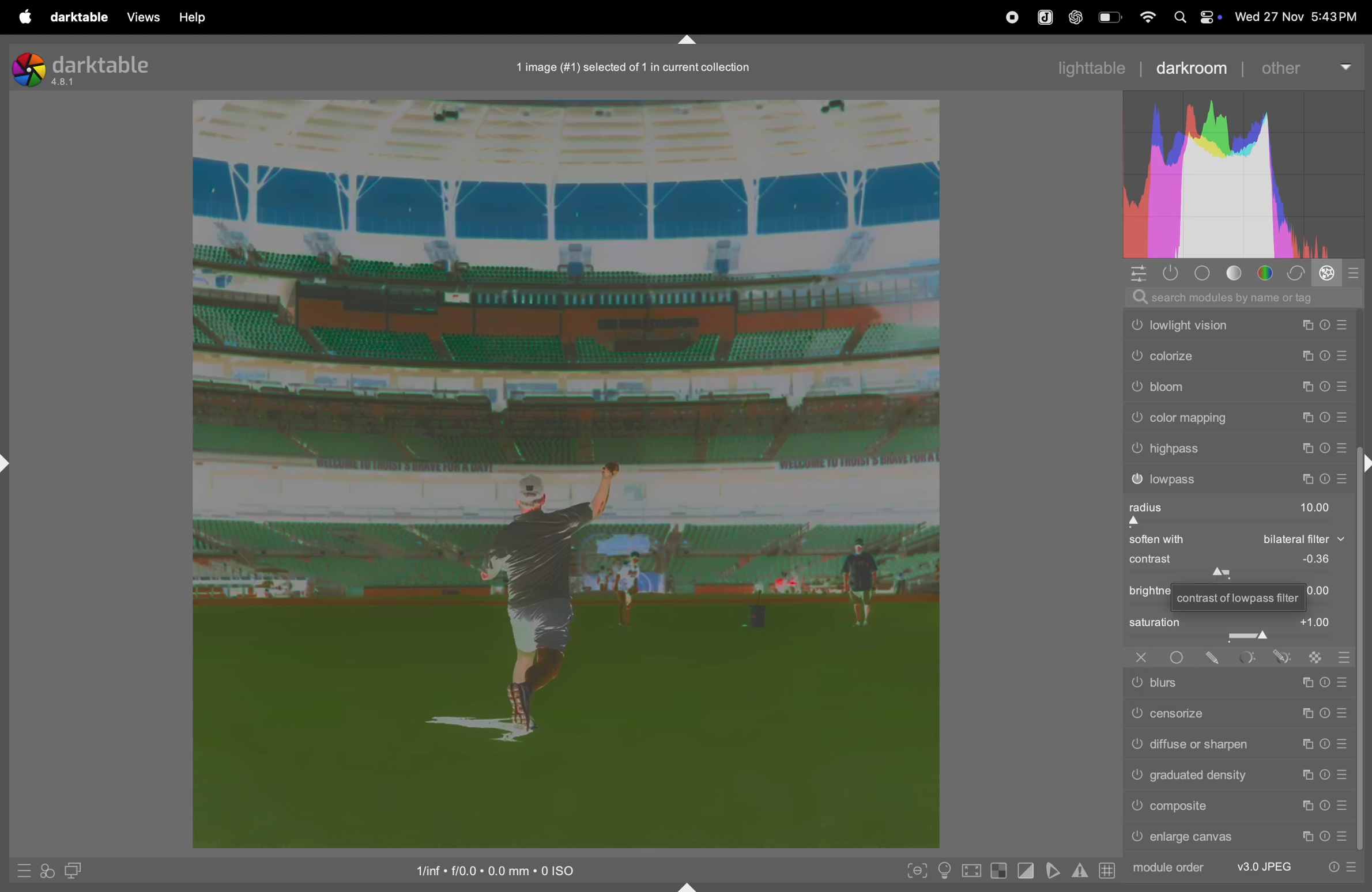  What do you see at coordinates (1213, 658) in the screenshot?
I see `drawn mask` at bounding box center [1213, 658].